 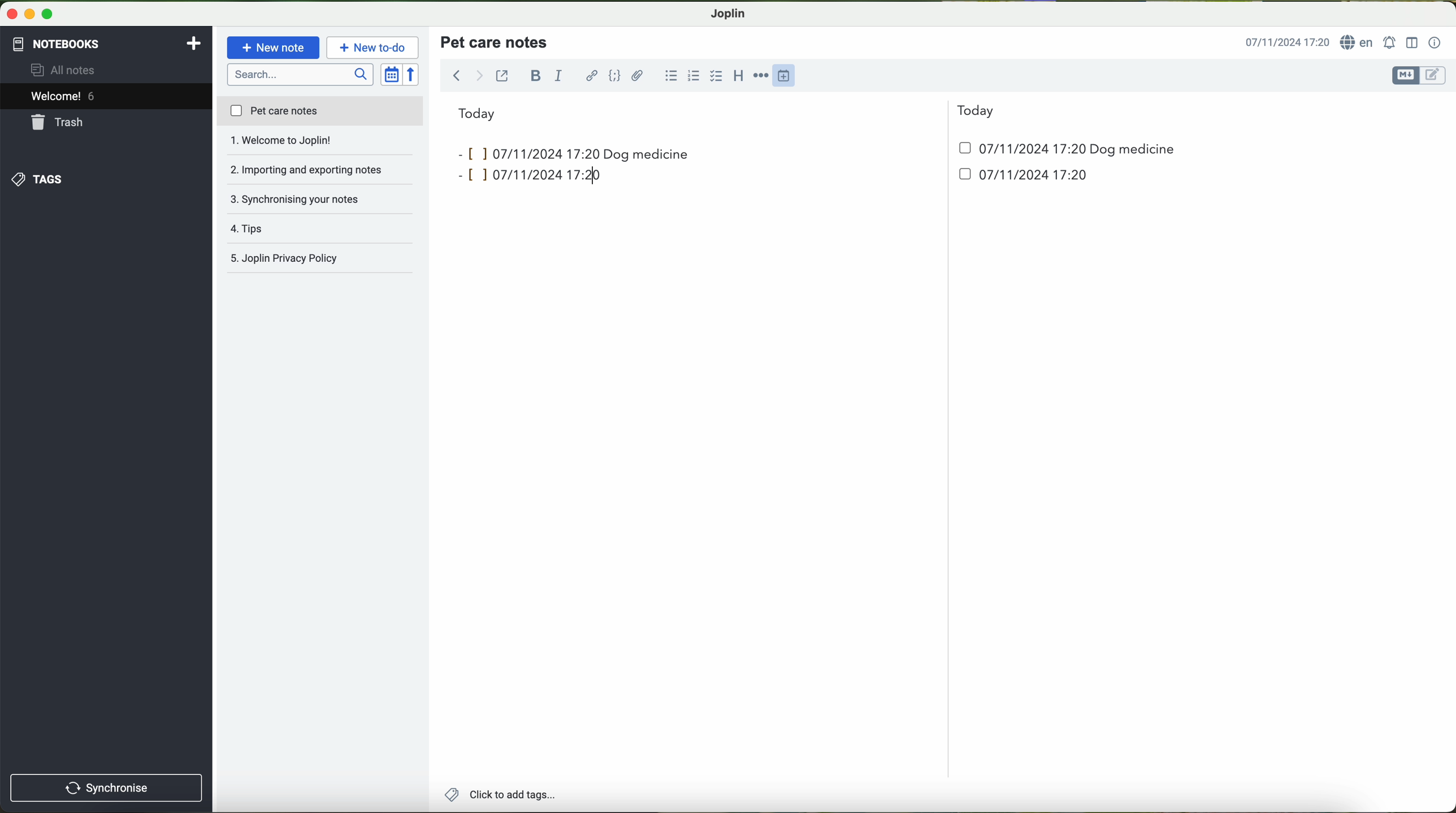 I want to click on tips, so click(x=320, y=199).